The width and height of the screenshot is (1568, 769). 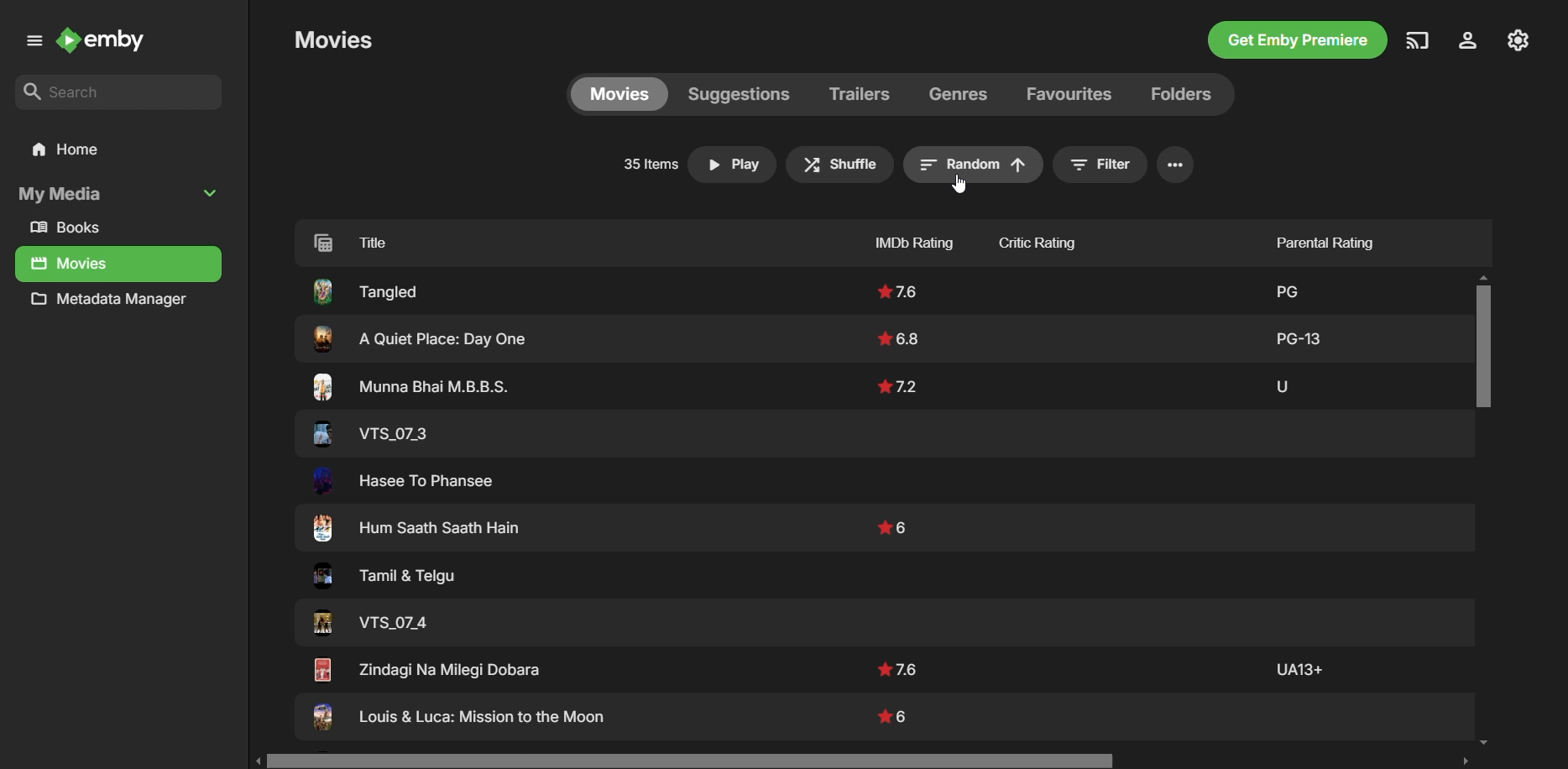 What do you see at coordinates (107, 42) in the screenshot?
I see `Application Name` at bounding box center [107, 42].